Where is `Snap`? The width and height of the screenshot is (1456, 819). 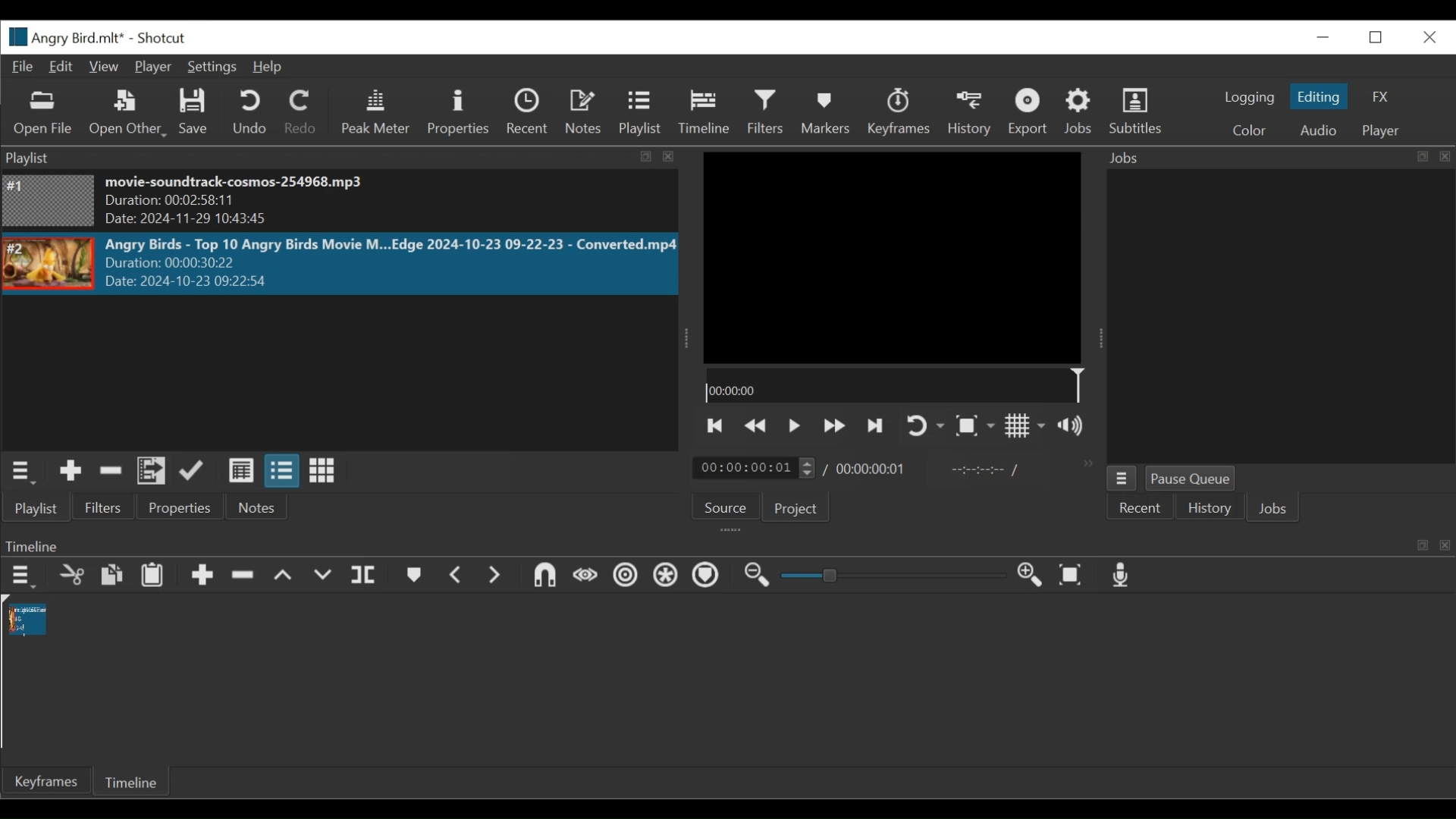
Snap is located at coordinates (542, 577).